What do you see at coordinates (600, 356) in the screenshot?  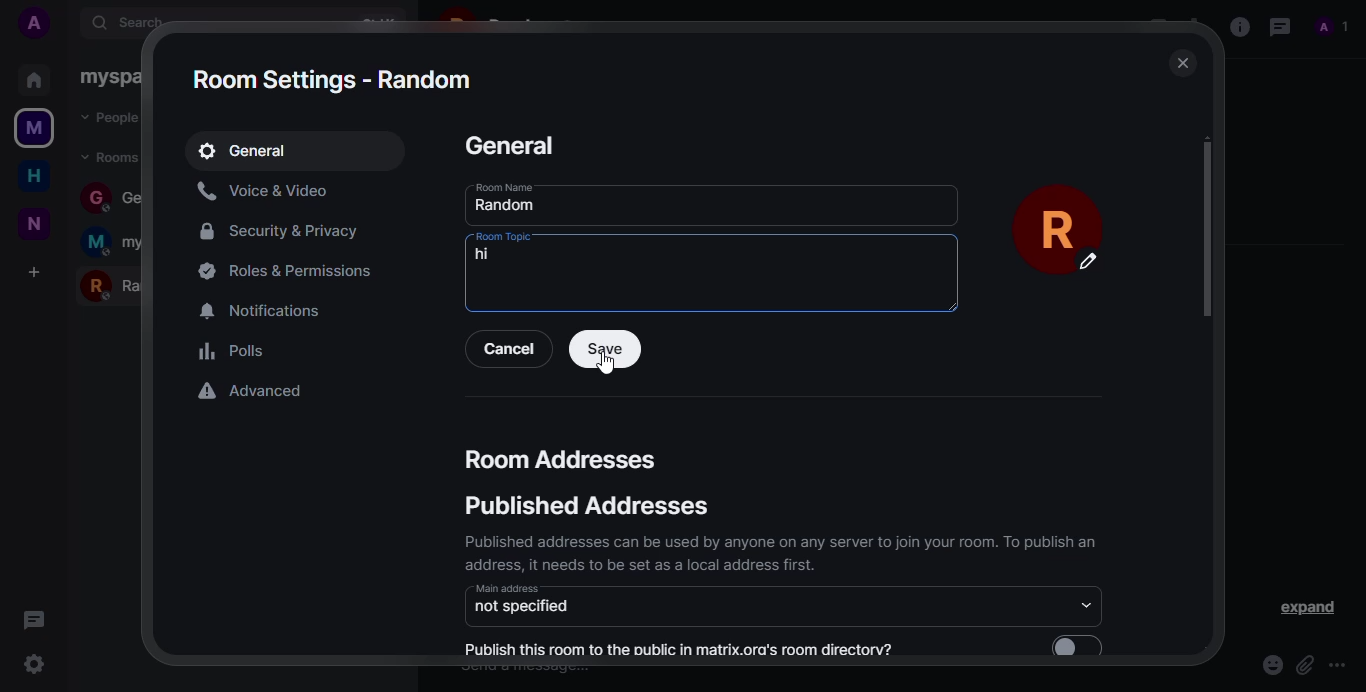 I see `save` at bounding box center [600, 356].